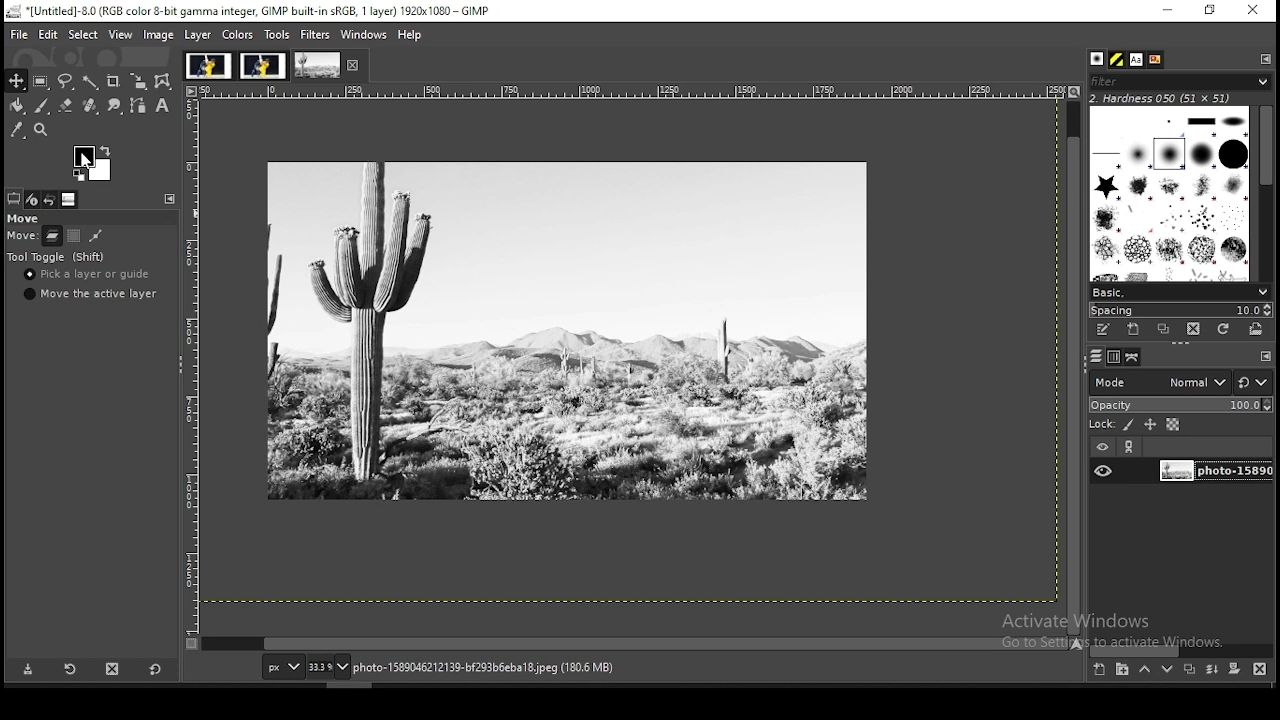 The width and height of the screenshot is (1280, 720). I want to click on units, so click(280, 666).